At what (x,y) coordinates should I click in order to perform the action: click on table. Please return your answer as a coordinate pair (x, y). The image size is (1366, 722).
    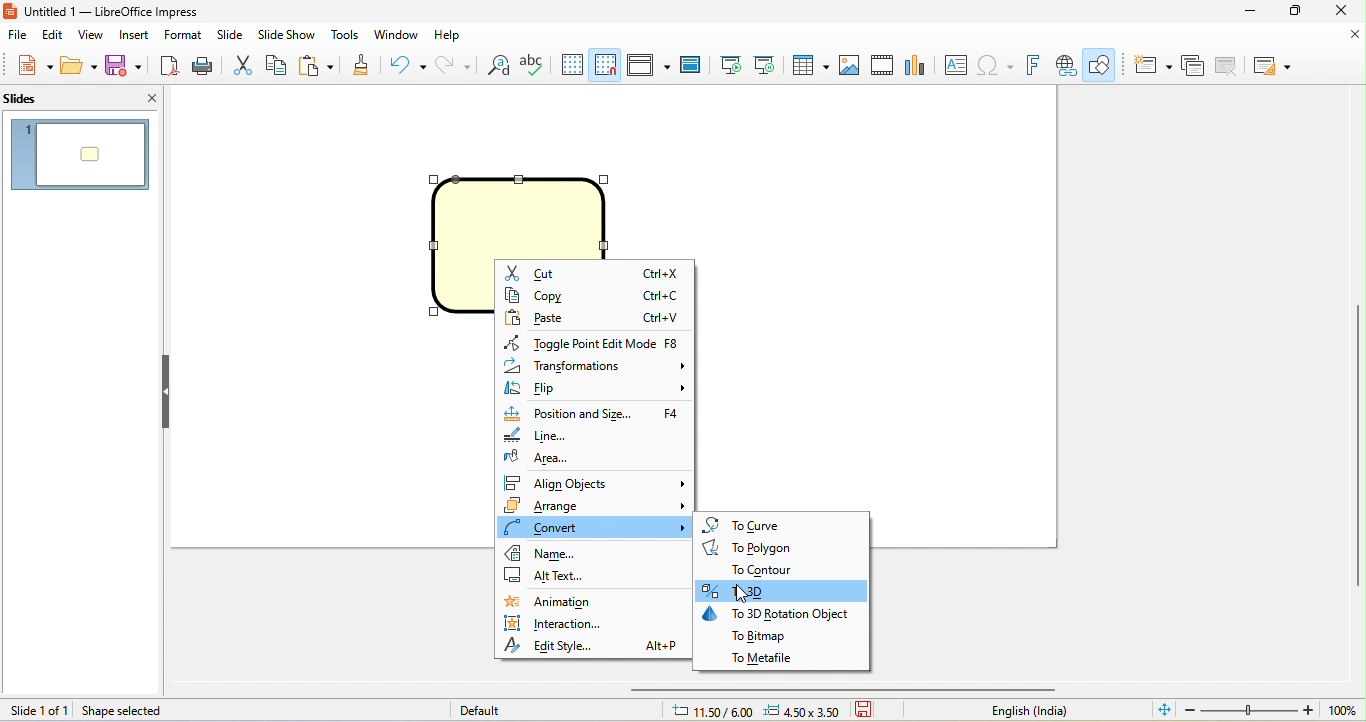
    Looking at the image, I should click on (808, 65).